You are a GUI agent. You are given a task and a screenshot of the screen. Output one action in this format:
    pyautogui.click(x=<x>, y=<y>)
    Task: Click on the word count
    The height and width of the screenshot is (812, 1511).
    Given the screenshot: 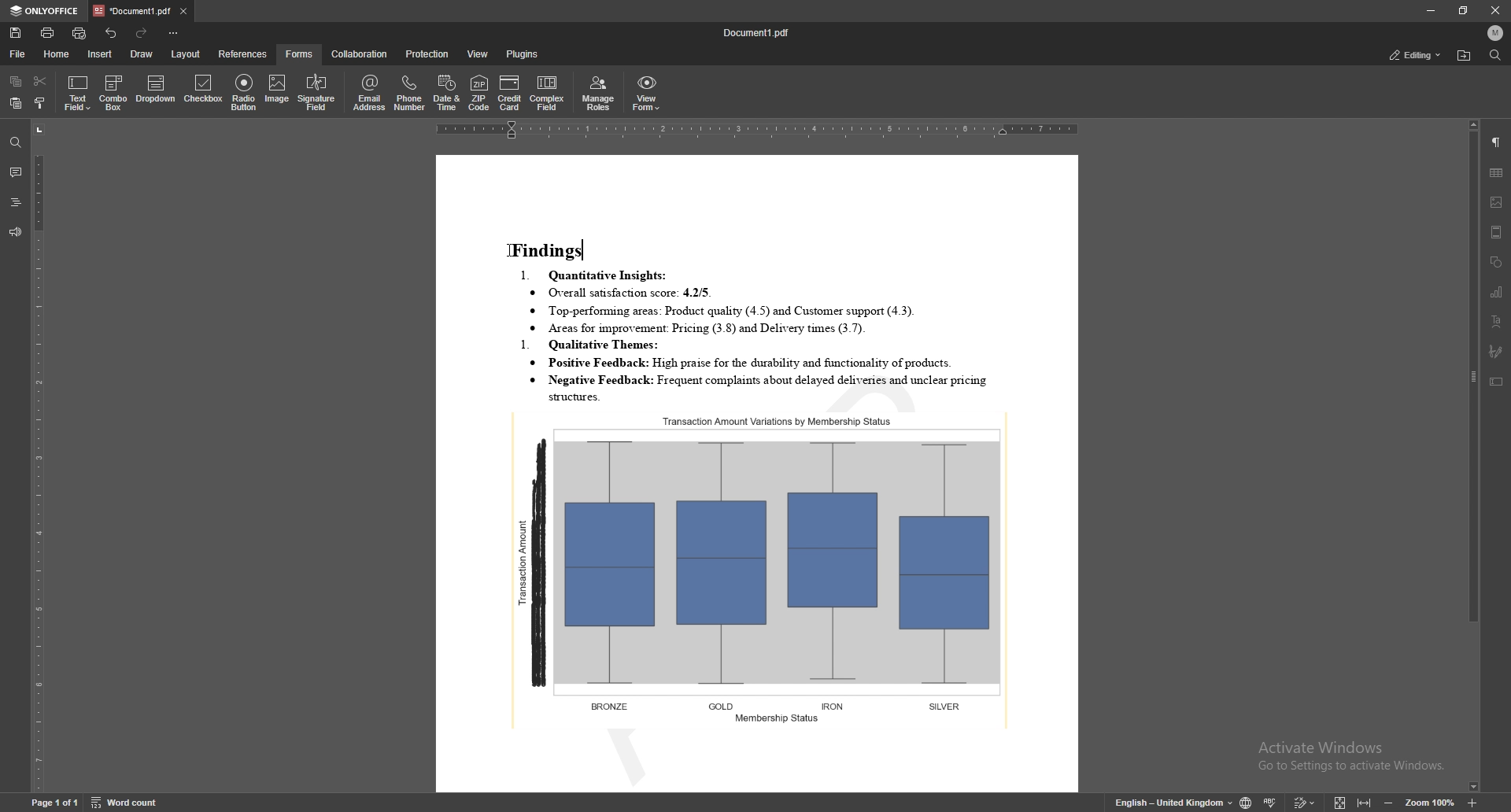 What is the action you would take?
    pyautogui.click(x=125, y=803)
    